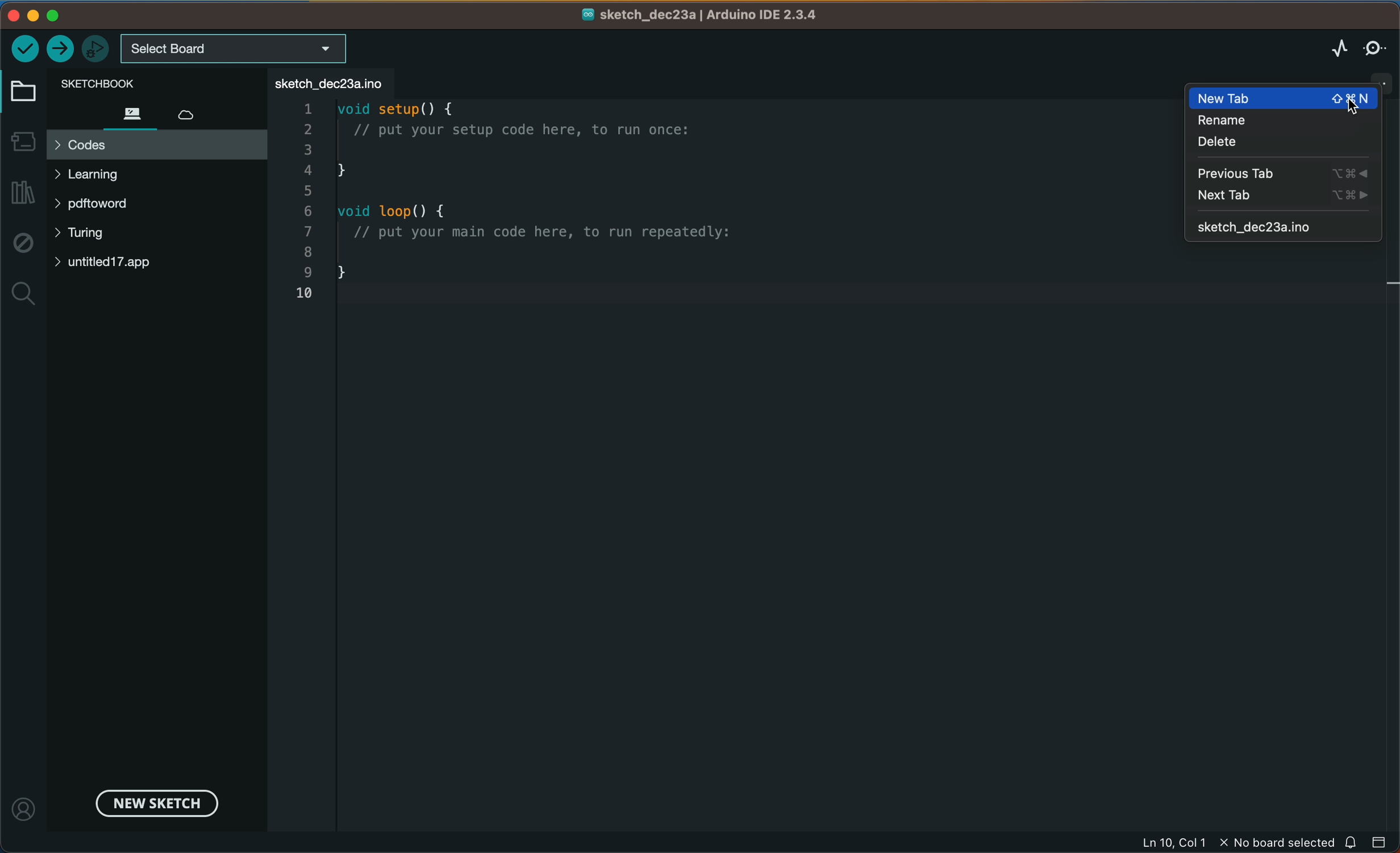 The height and width of the screenshot is (853, 1400). Describe the element at coordinates (1251, 121) in the screenshot. I see `rename` at that location.